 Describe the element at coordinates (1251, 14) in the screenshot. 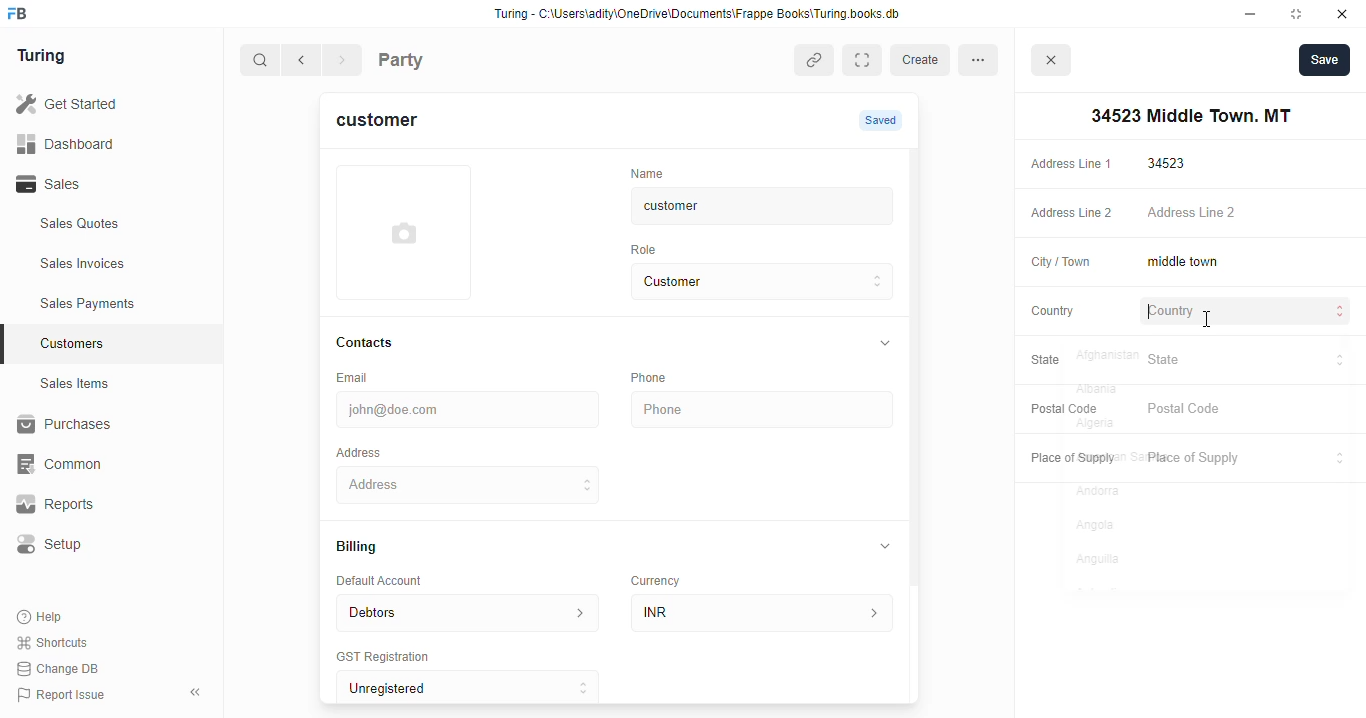

I see `minimise` at that location.